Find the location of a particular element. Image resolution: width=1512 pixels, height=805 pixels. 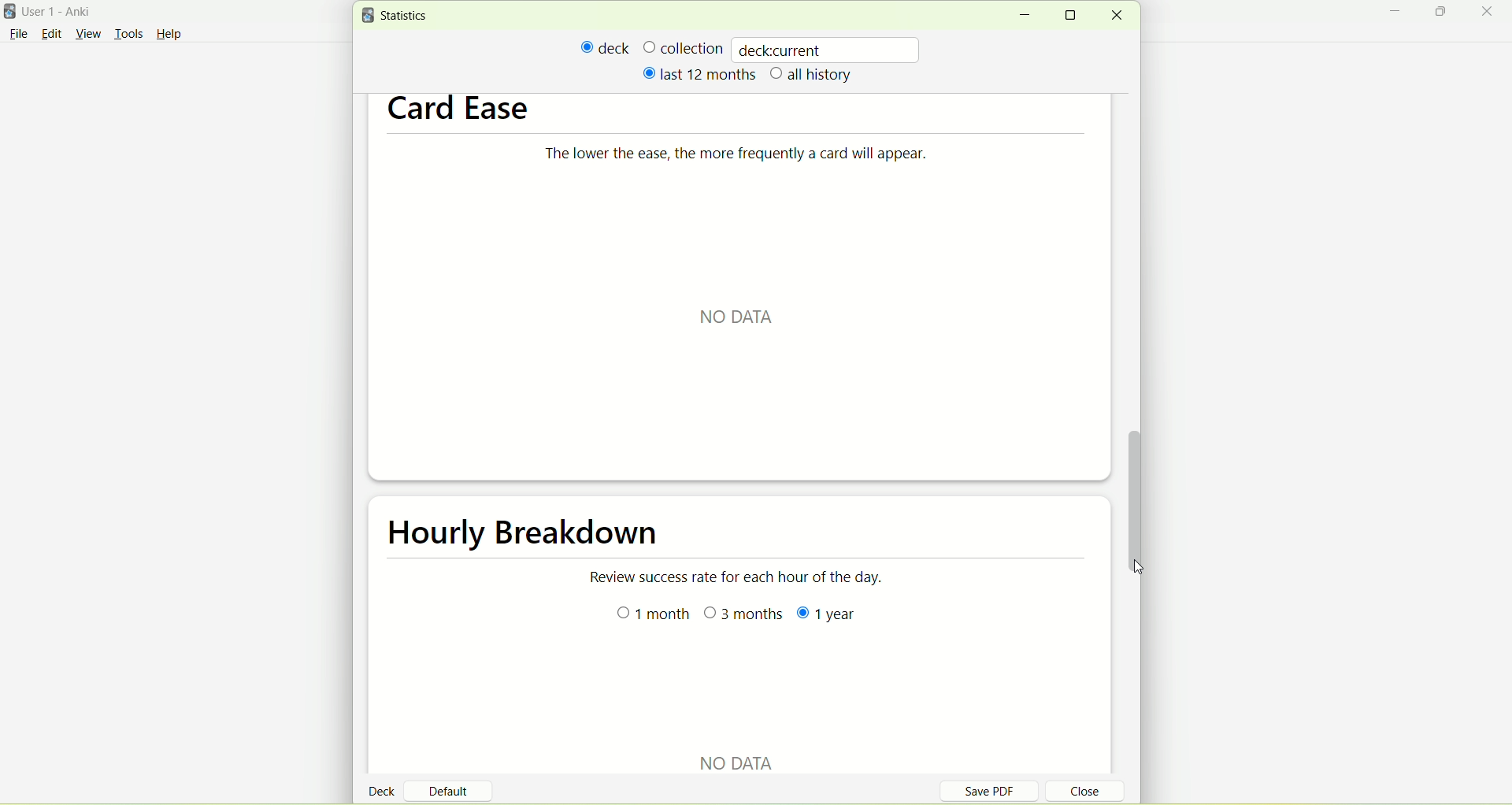

minimize is located at coordinates (1399, 13).